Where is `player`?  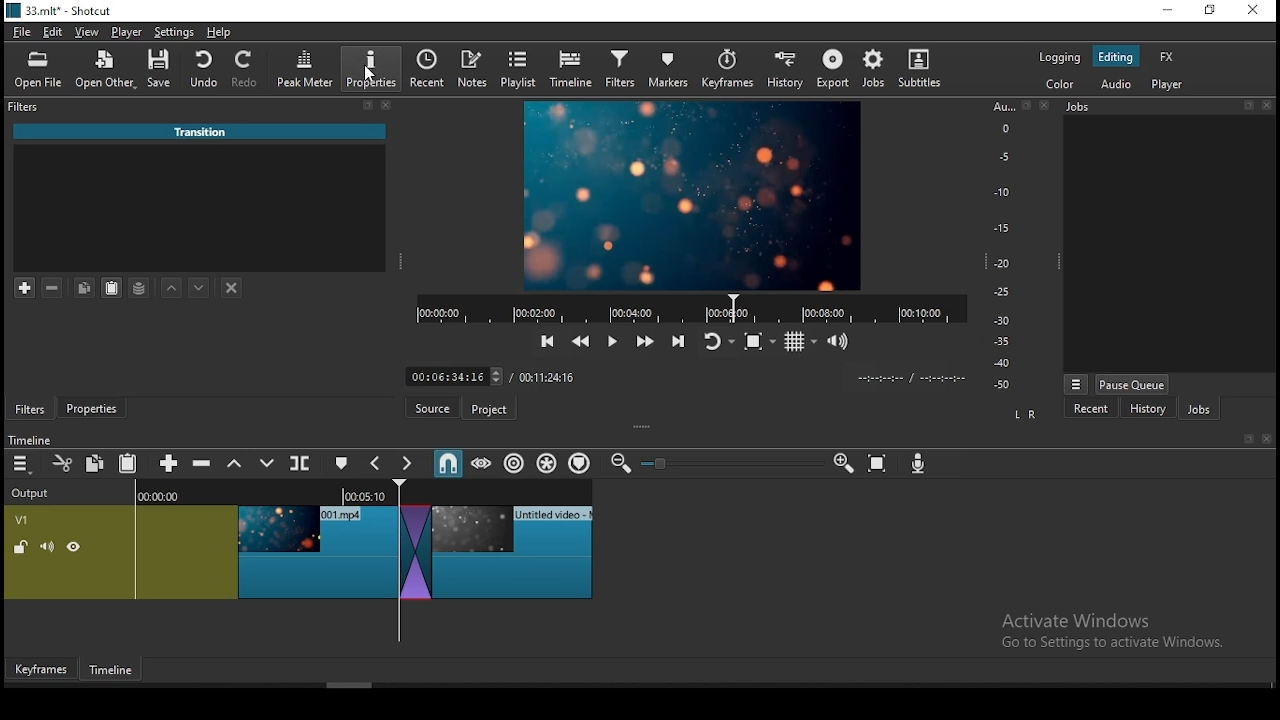 player is located at coordinates (1168, 86).